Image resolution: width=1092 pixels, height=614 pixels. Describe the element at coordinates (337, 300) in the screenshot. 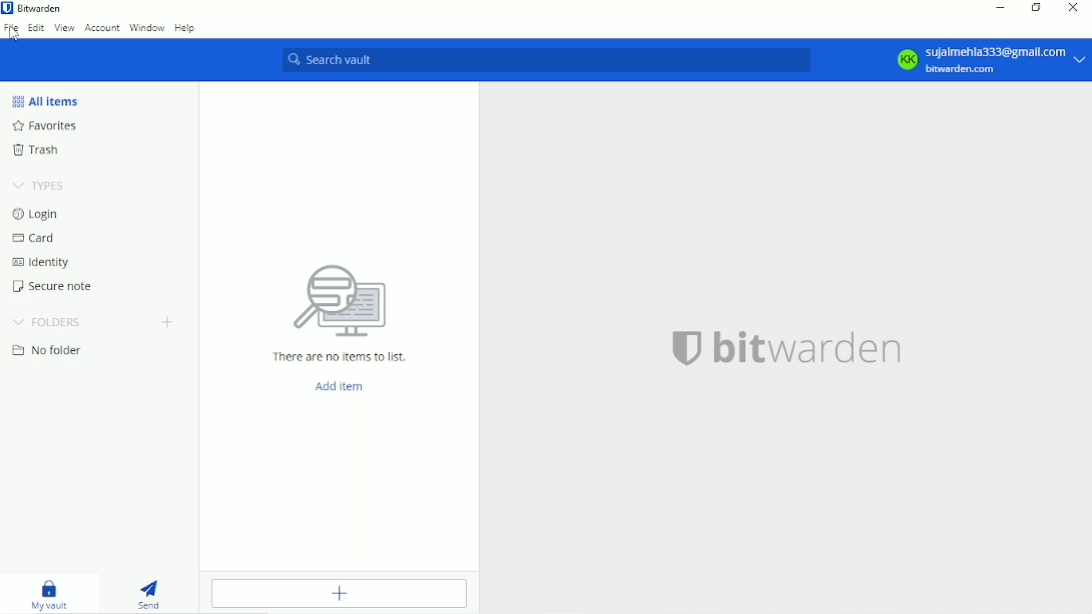

I see `icon` at that location.